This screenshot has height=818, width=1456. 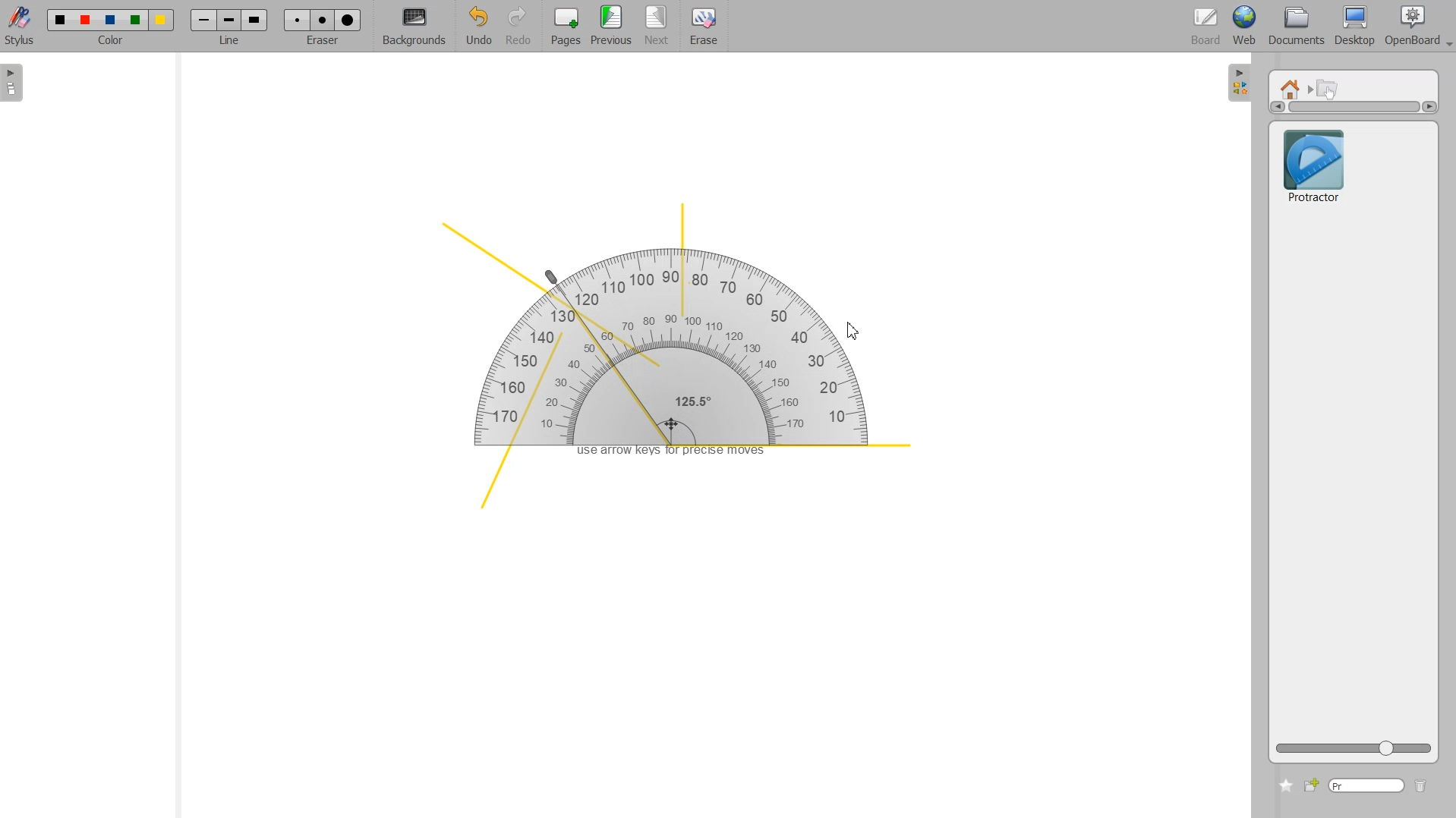 I want to click on Home, so click(x=1293, y=88).